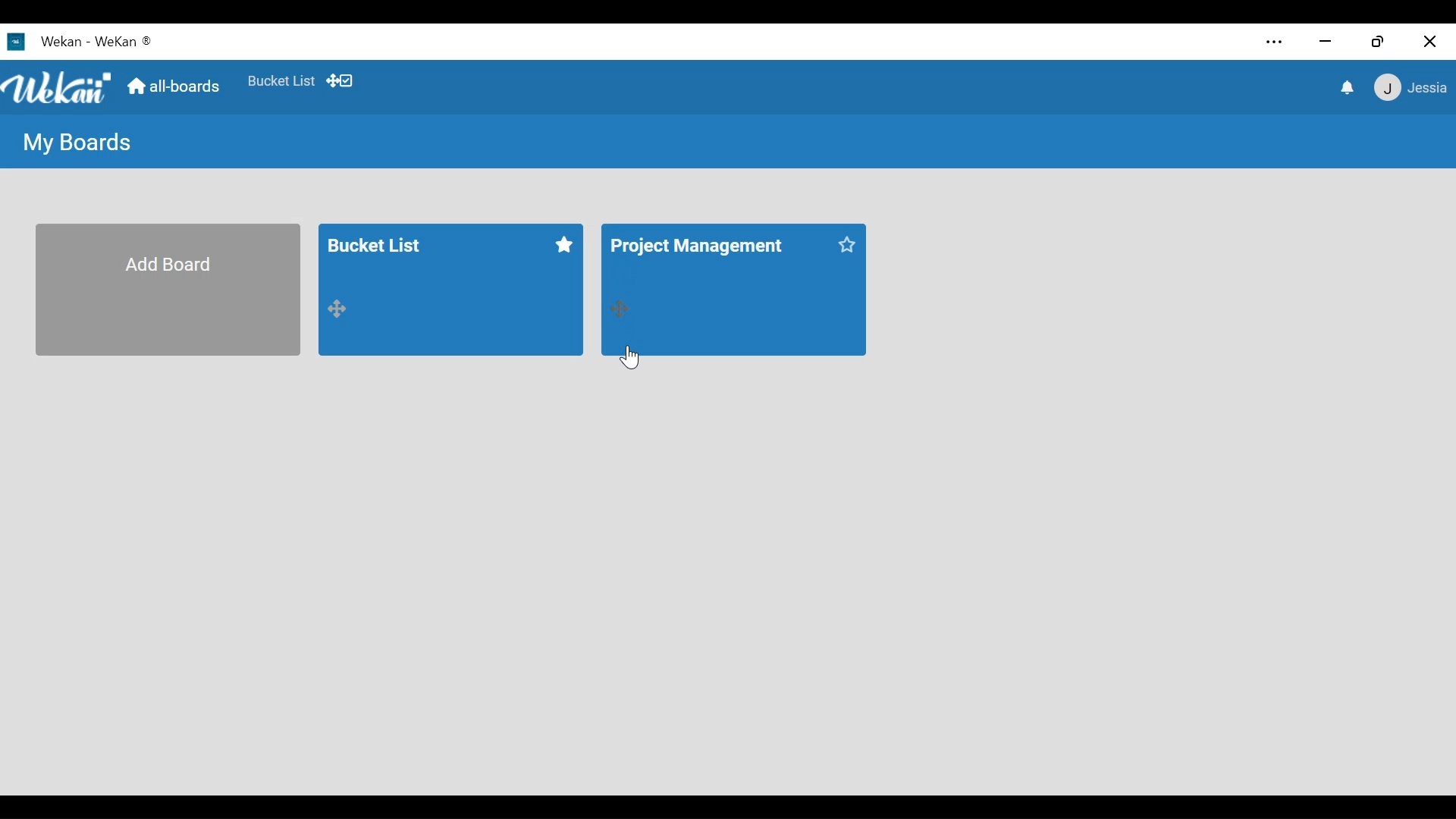  What do you see at coordinates (620, 308) in the screenshot?
I see `drag handle` at bounding box center [620, 308].